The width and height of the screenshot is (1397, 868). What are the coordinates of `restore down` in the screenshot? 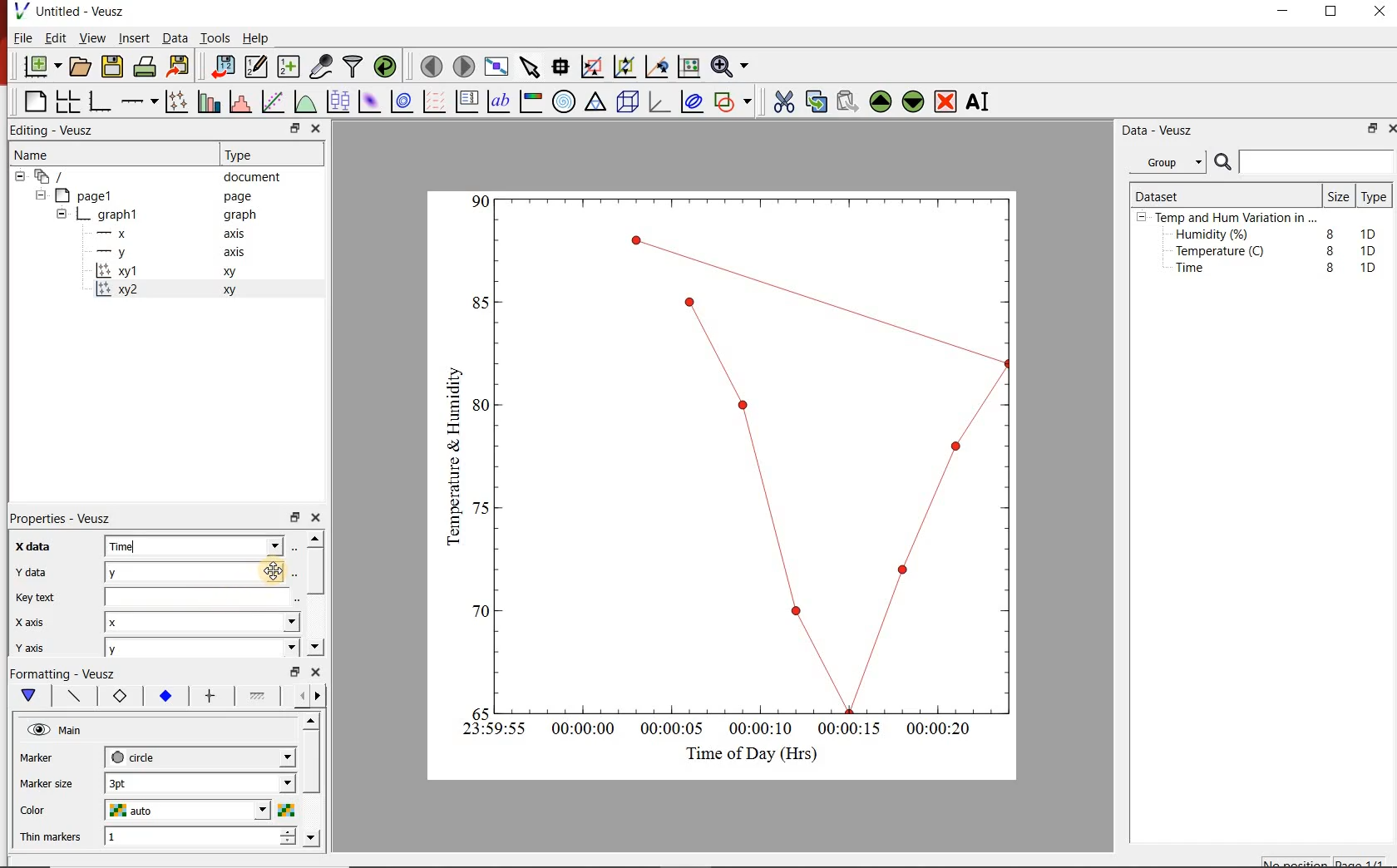 It's located at (1369, 131).